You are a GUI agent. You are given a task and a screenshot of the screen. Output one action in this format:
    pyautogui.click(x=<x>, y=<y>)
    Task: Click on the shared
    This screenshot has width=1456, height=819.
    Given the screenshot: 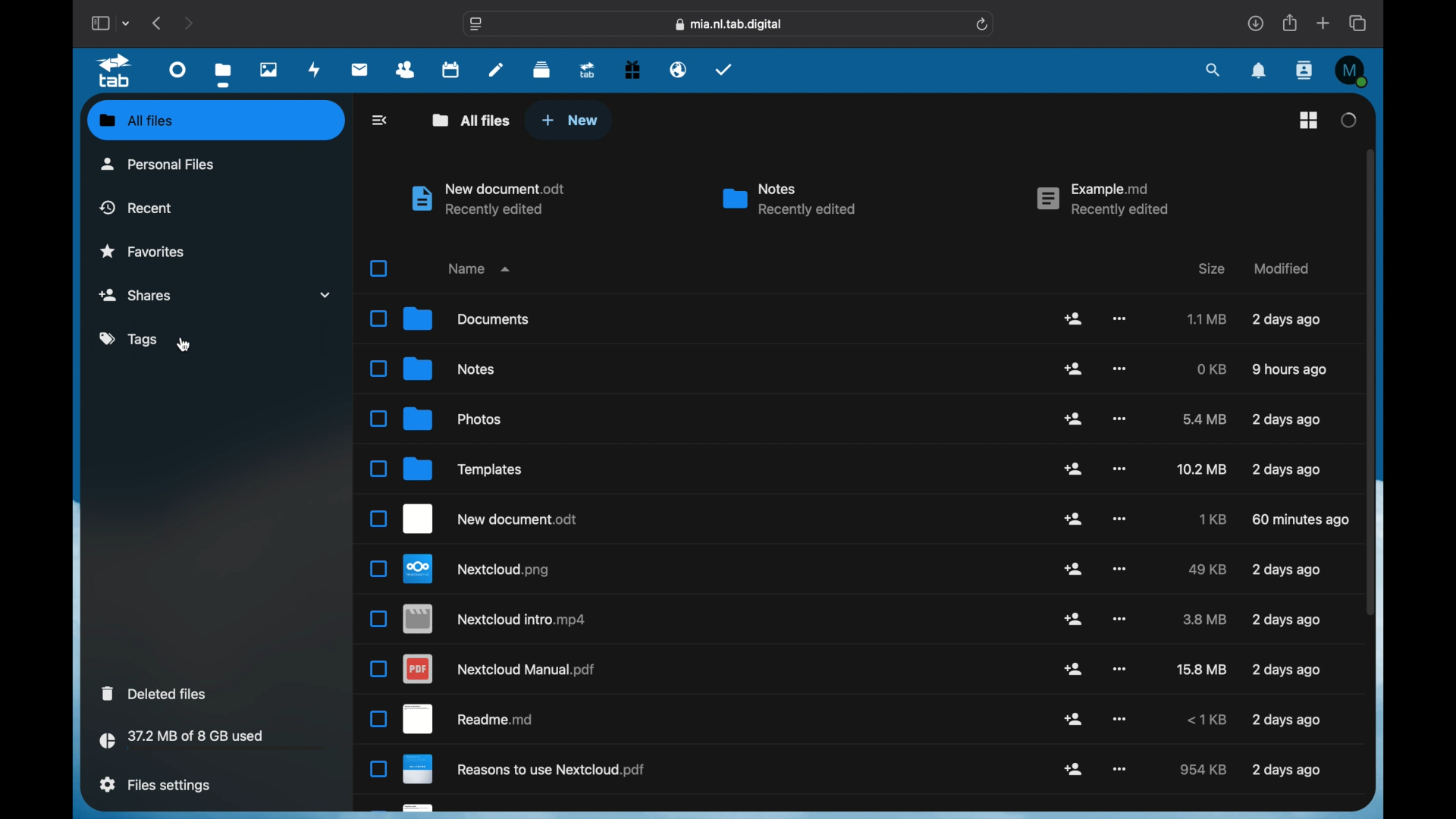 What is the action you would take?
    pyautogui.click(x=1073, y=768)
    